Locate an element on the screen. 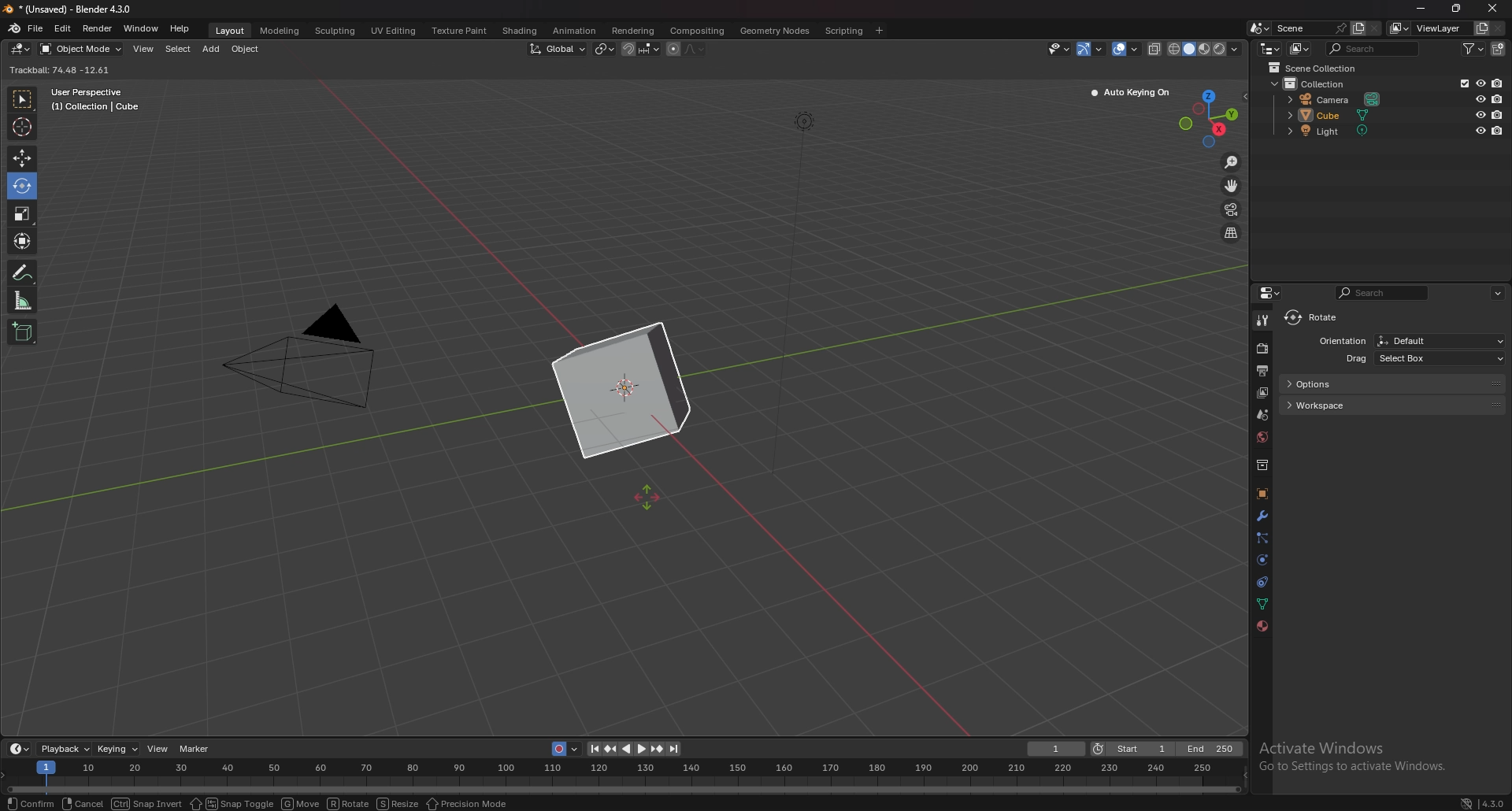 The image size is (1512, 811). jump to endpoint is located at coordinates (676, 749).